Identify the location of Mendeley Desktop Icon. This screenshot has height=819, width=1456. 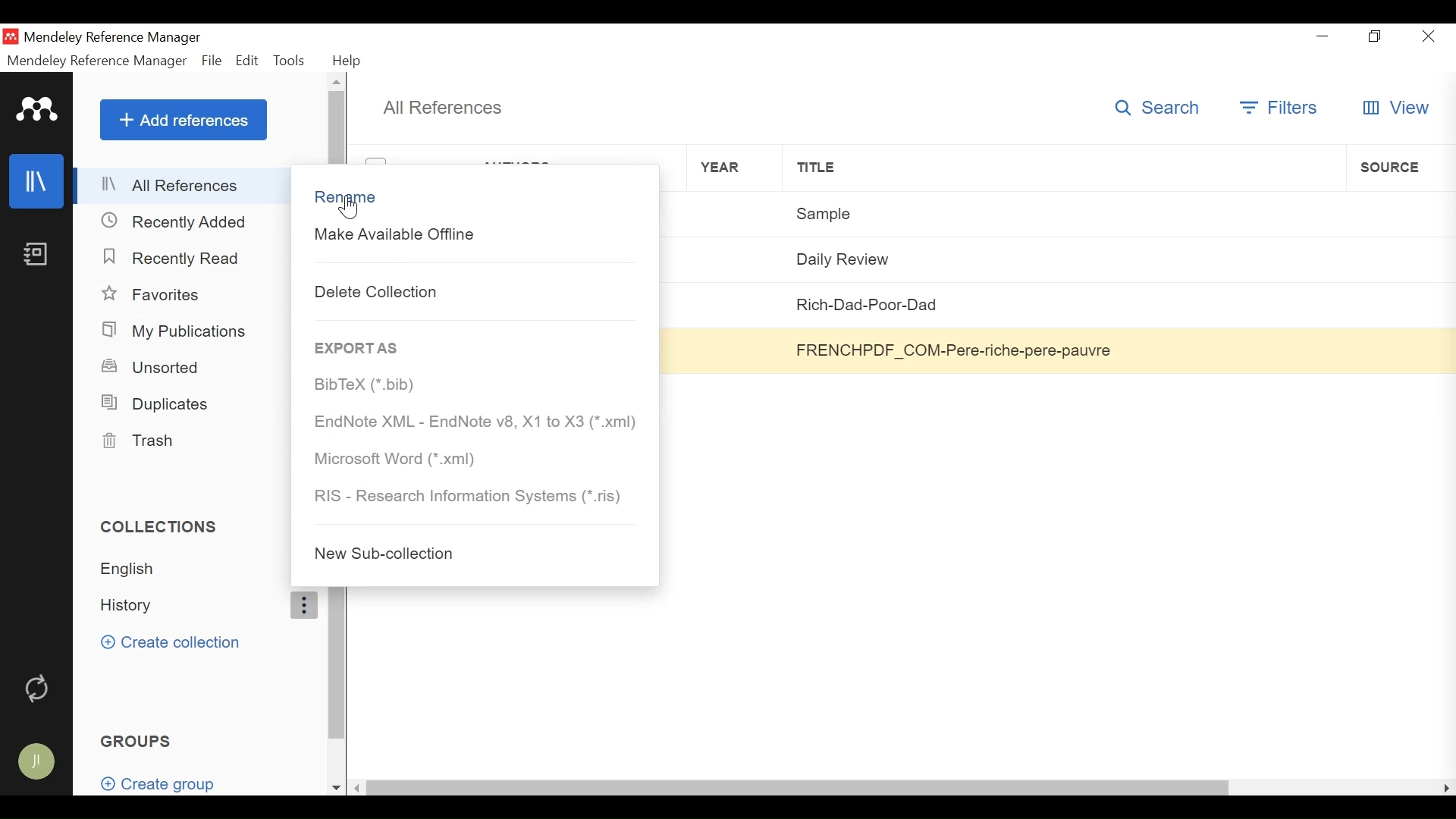
(12, 36).